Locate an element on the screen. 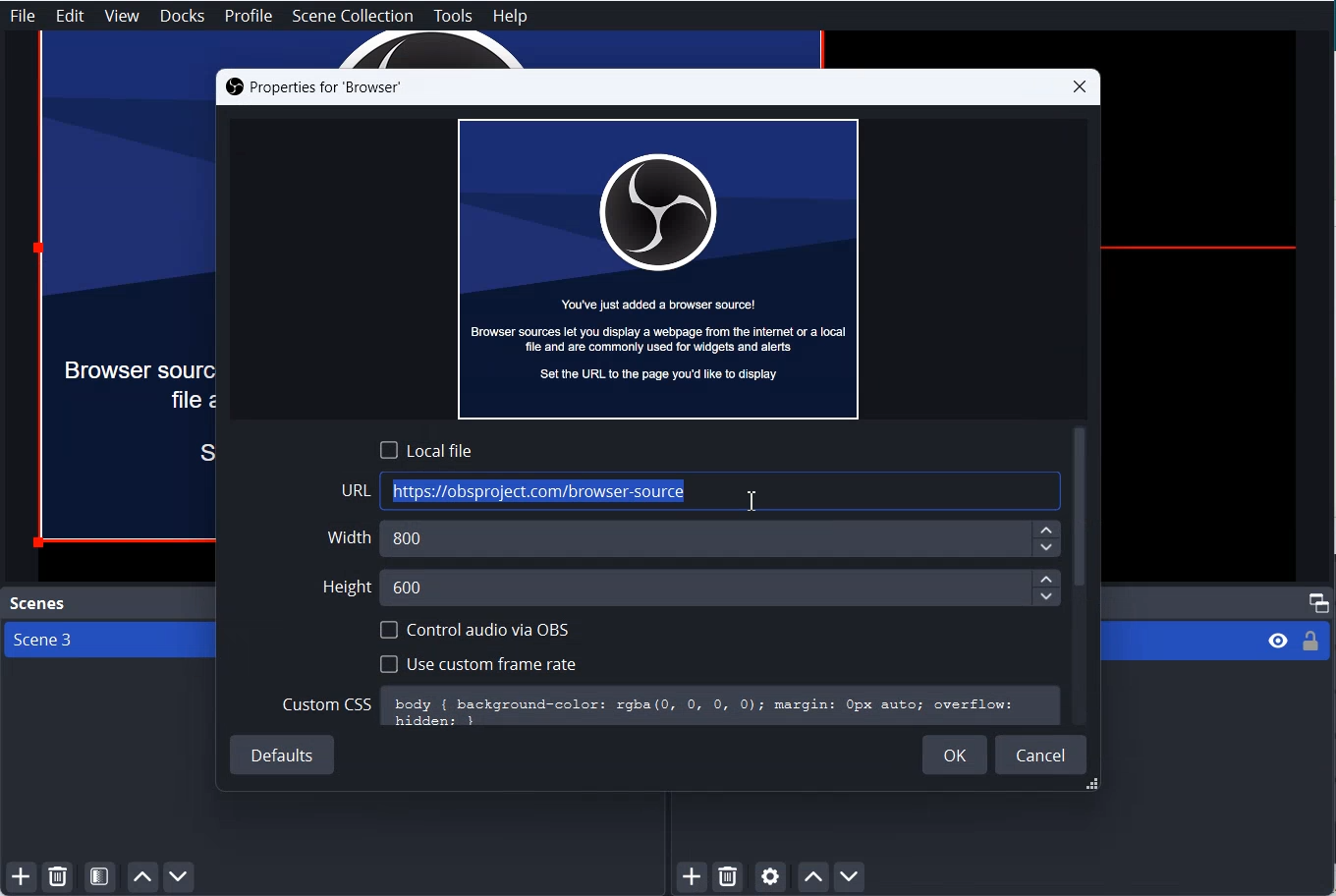 Image resolution: width=1336 pixels, height=896 pixels. Add Scene is located at coordinates (18, 878).